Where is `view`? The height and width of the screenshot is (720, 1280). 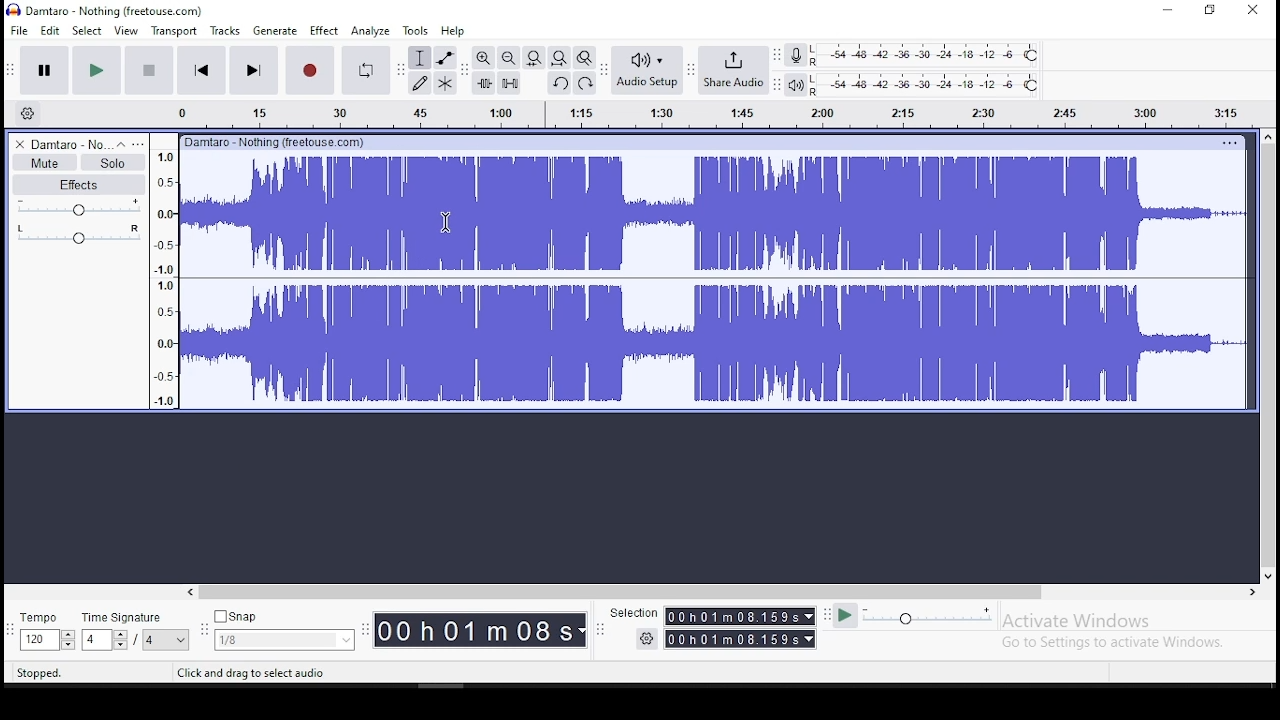 view is located at coordinates (126, 30).